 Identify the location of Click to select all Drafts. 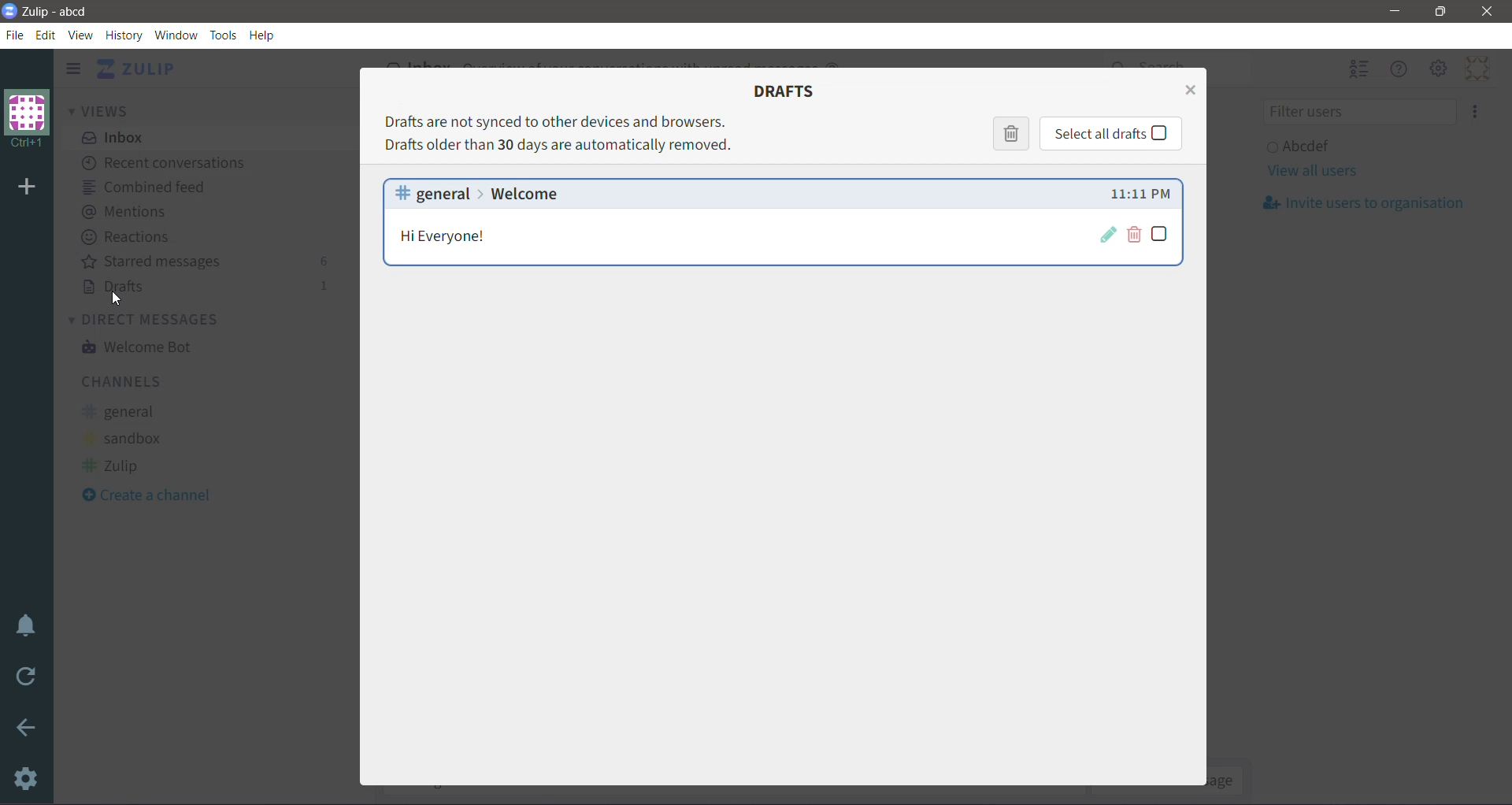
(1116, 133).